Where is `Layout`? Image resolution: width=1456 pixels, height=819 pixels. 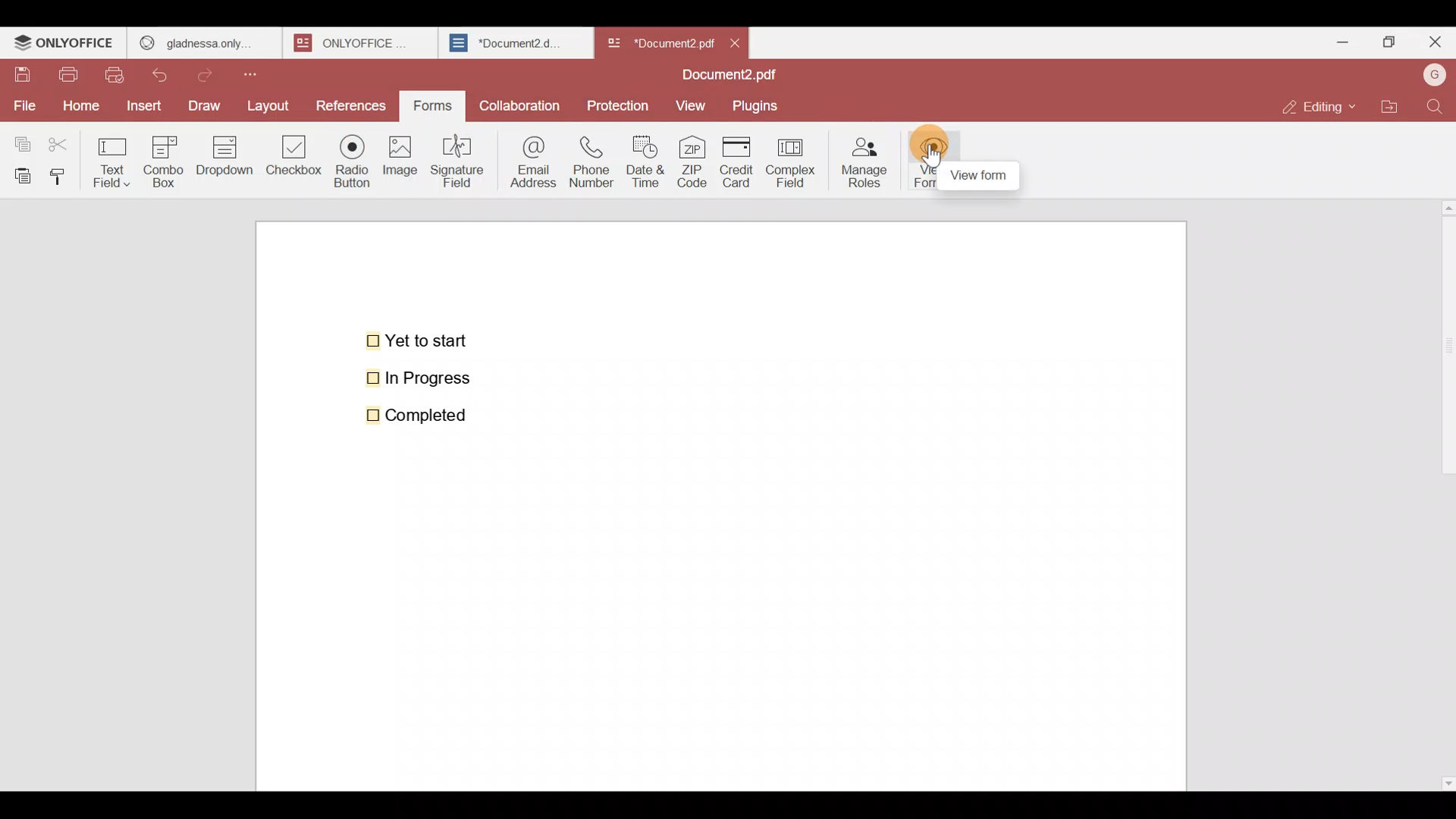 Layout is located at coordinates (275, 104).